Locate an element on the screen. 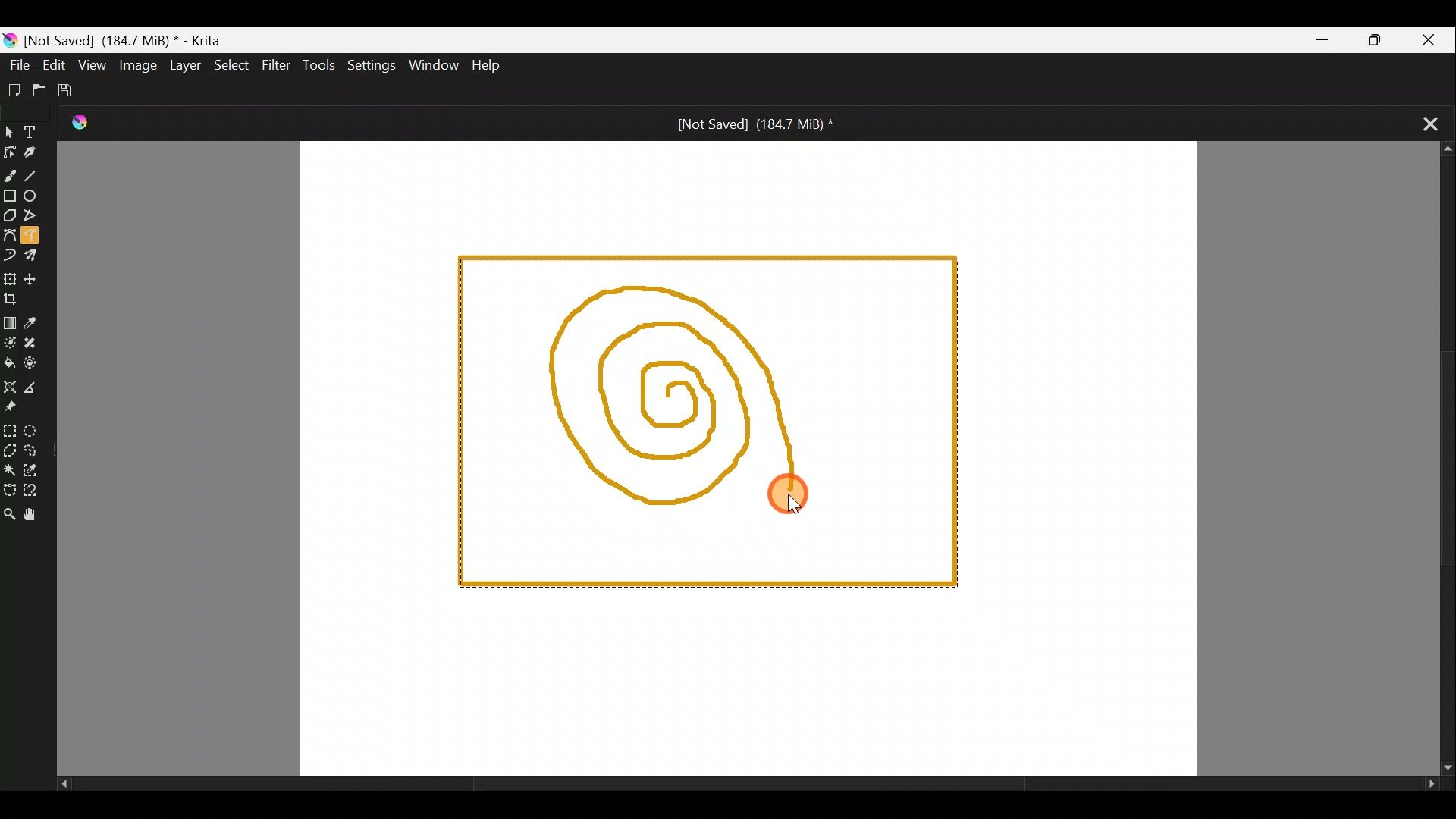 Image resolution: width=1456 pixels, height=819 pixels. Bezier curve selection tool is located at coordinates (9, 491).